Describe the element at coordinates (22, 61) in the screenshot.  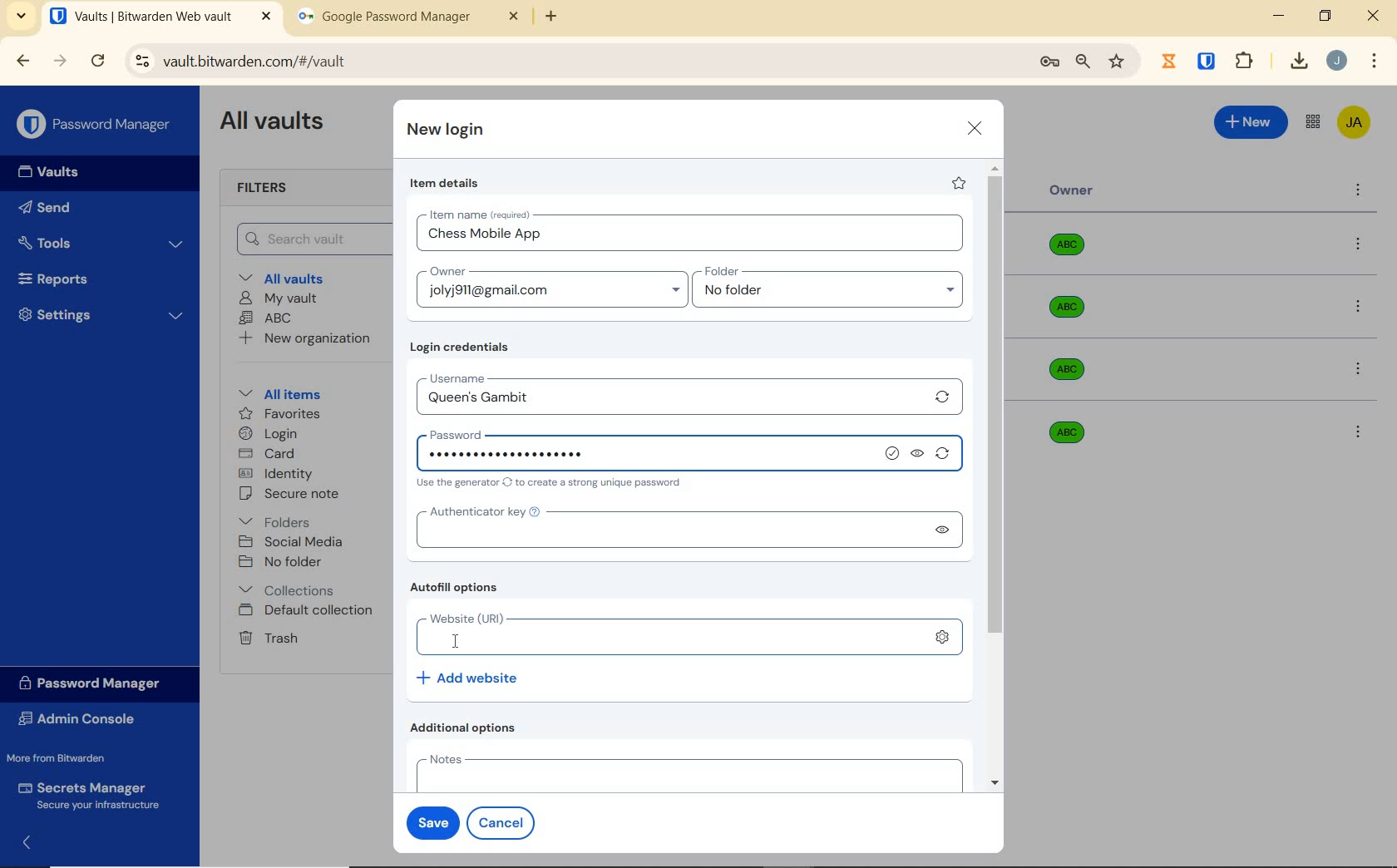
I see `backward` at that location.